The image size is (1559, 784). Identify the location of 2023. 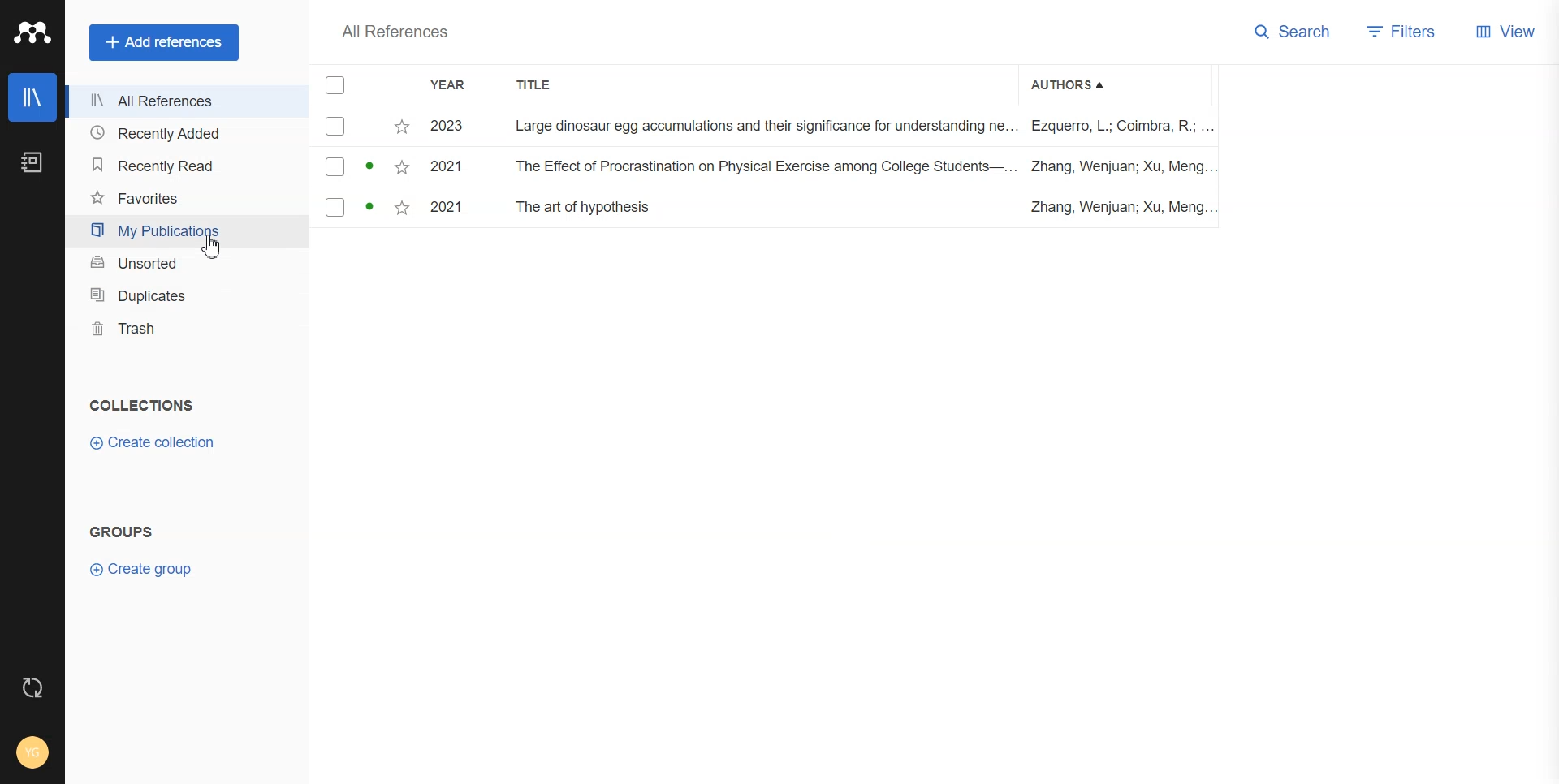
(446, 127).